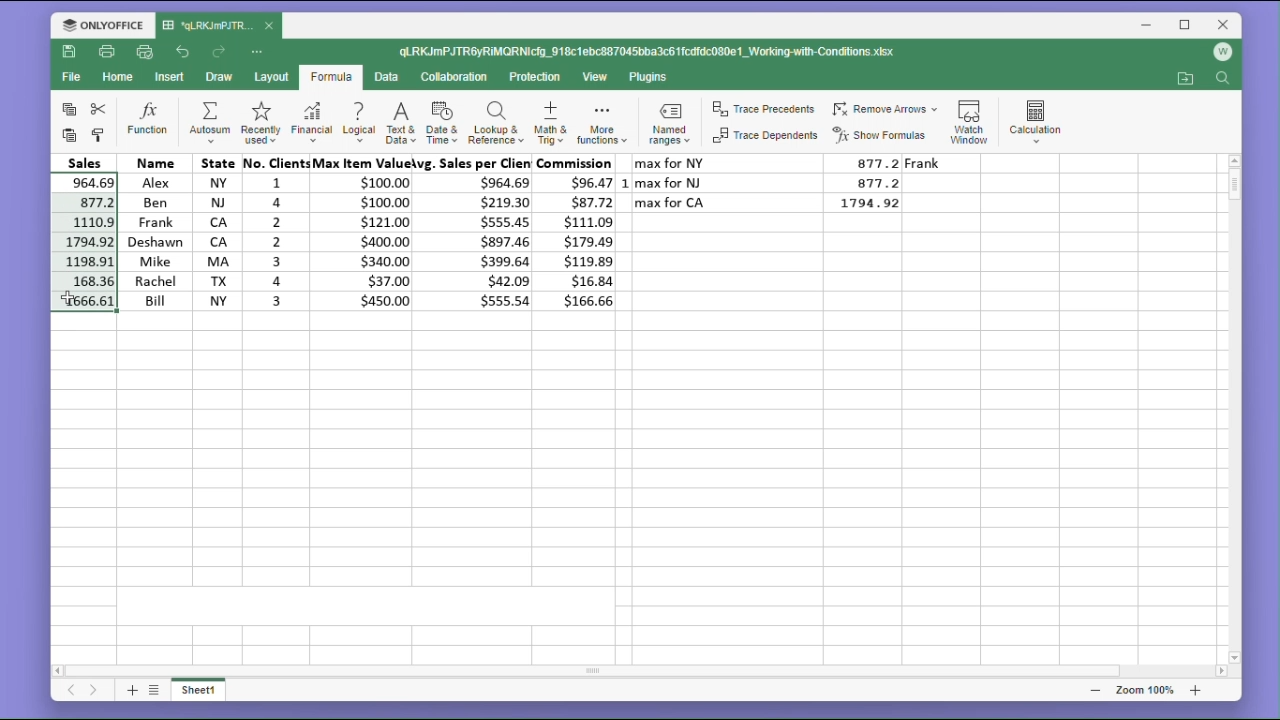 The width and height of the screenshot is (1280, 720). I want to click on list of sheets, so click(157, 689).